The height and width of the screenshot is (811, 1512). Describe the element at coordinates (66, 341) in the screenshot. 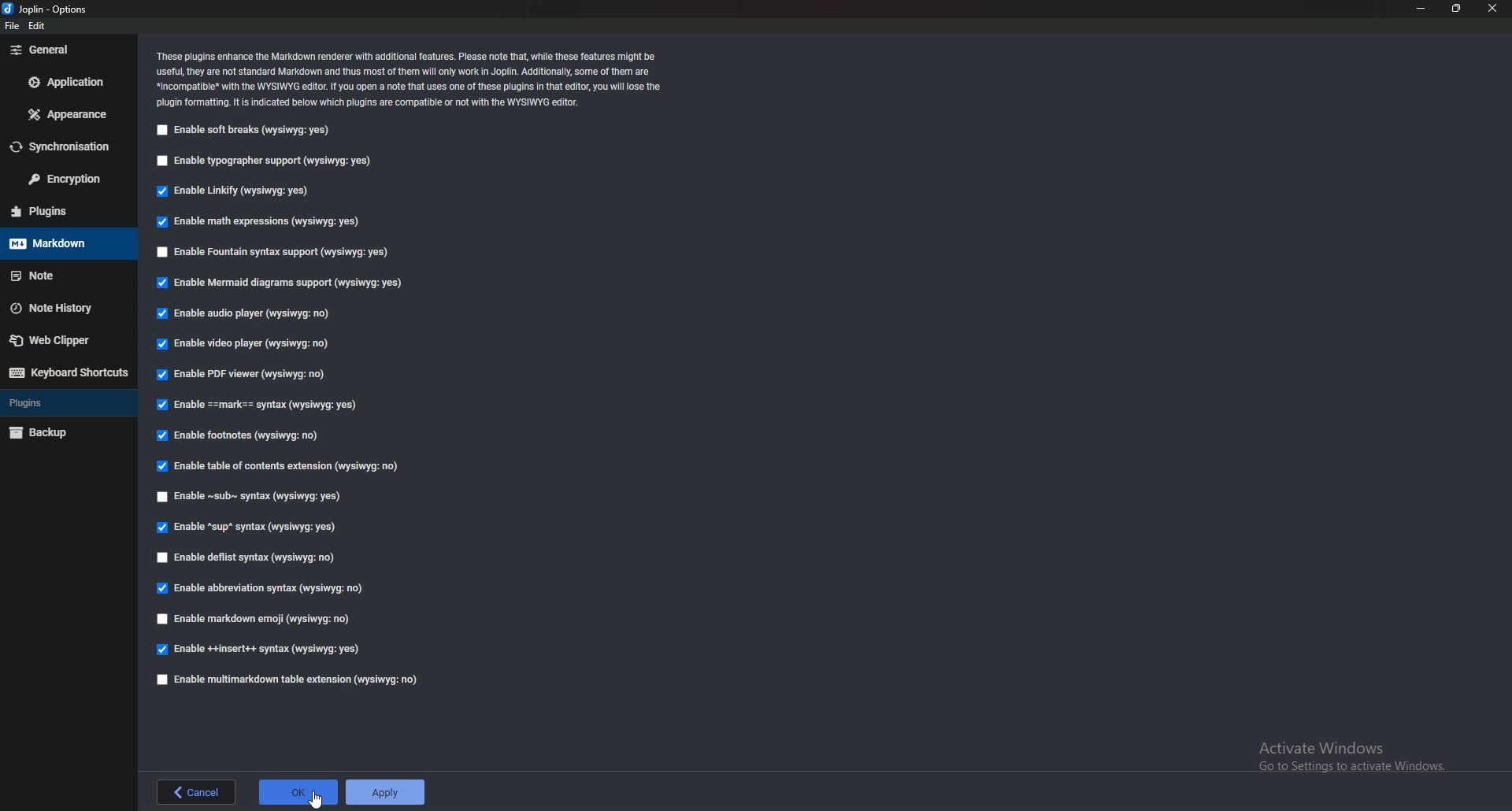

I see `web clipper` at that location.